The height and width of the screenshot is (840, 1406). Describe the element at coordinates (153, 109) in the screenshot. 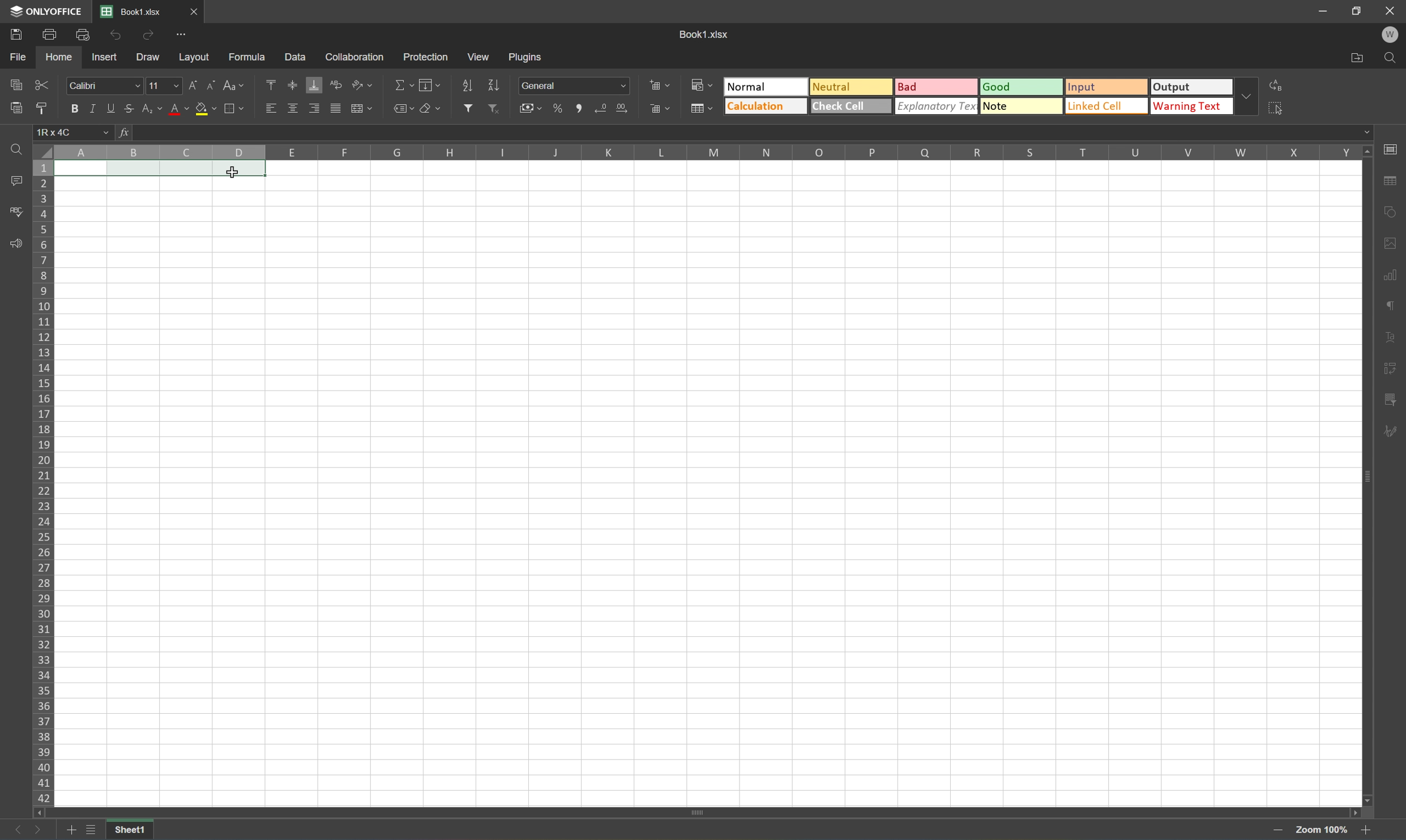

I see `Subscript` at that location.